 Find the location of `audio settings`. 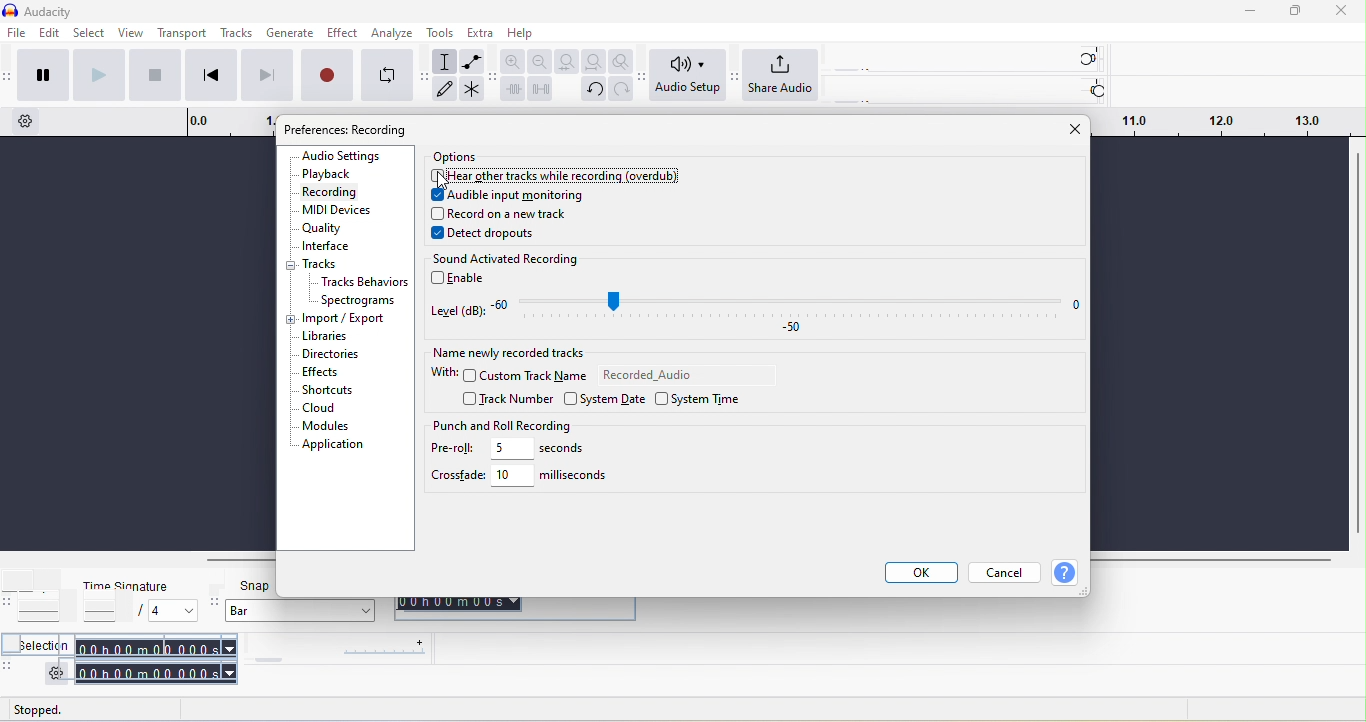

audio settings is located at coordinates (348, 155).